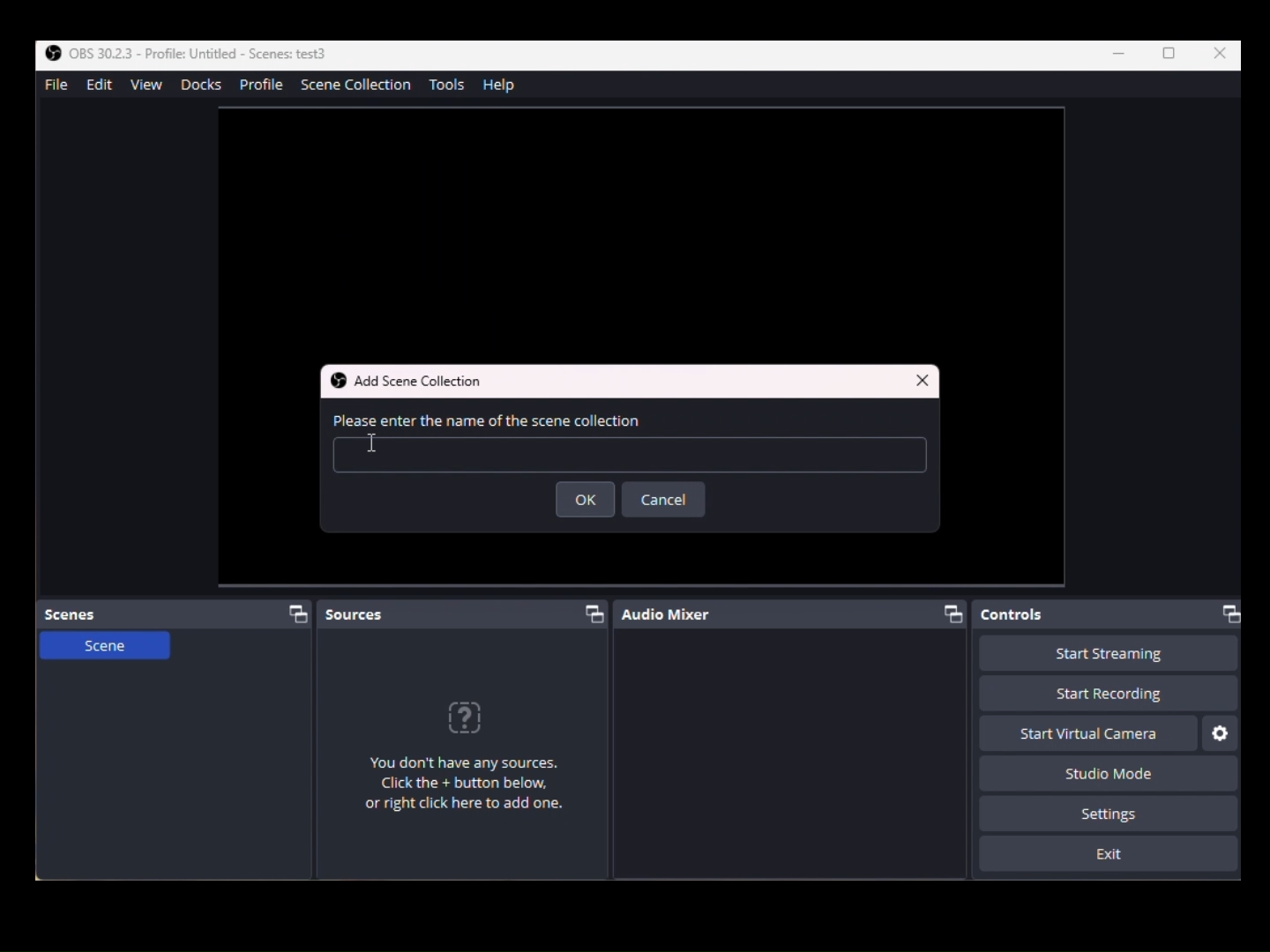 Image resolution: width=1270 pixels, height=952 pixels. I want to click on cursor, so click(378, 447).